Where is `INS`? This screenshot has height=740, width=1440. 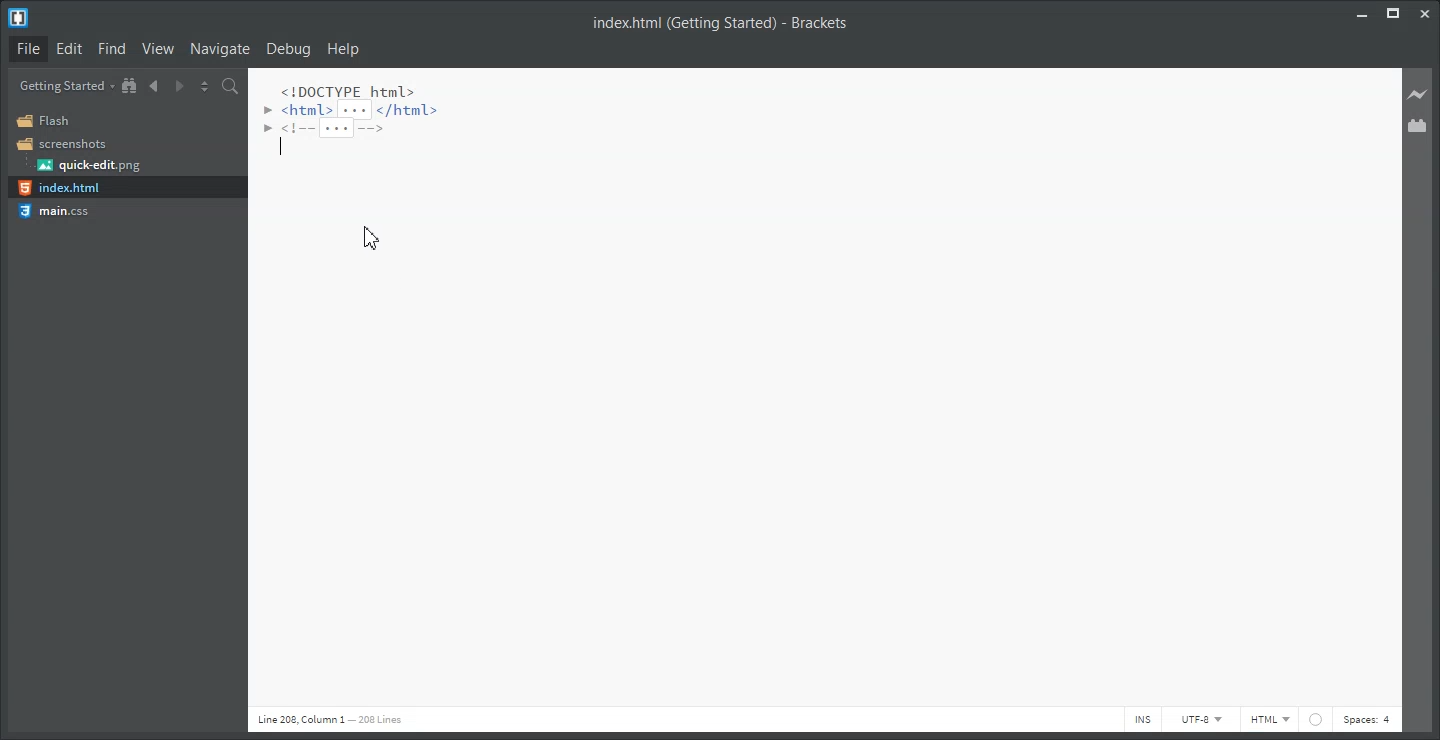 INS is located at coordinates (1143, 719).